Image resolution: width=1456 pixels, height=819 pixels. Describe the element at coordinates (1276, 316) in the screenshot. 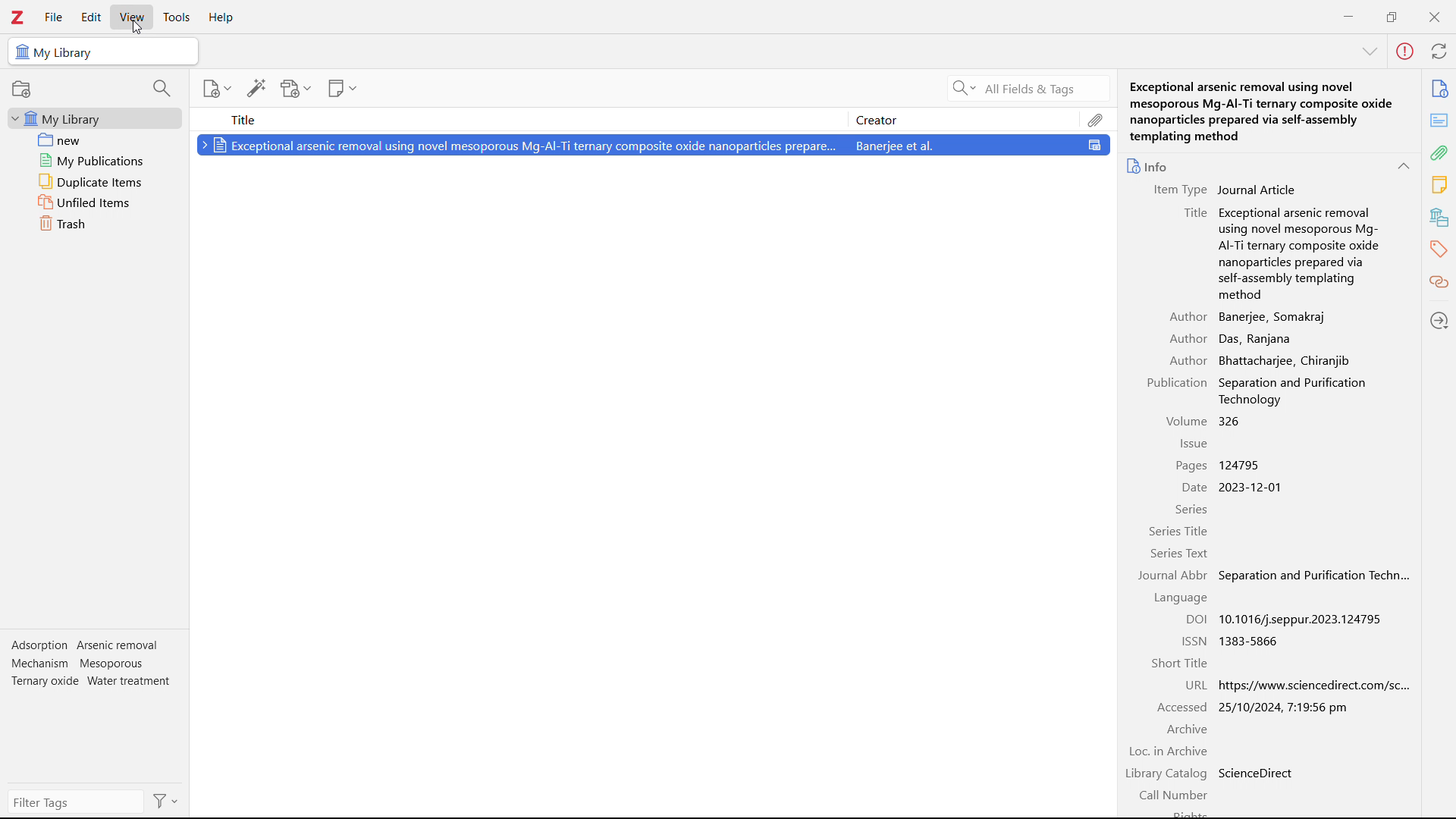

I see `Banerjee, Somakraj` at that location.